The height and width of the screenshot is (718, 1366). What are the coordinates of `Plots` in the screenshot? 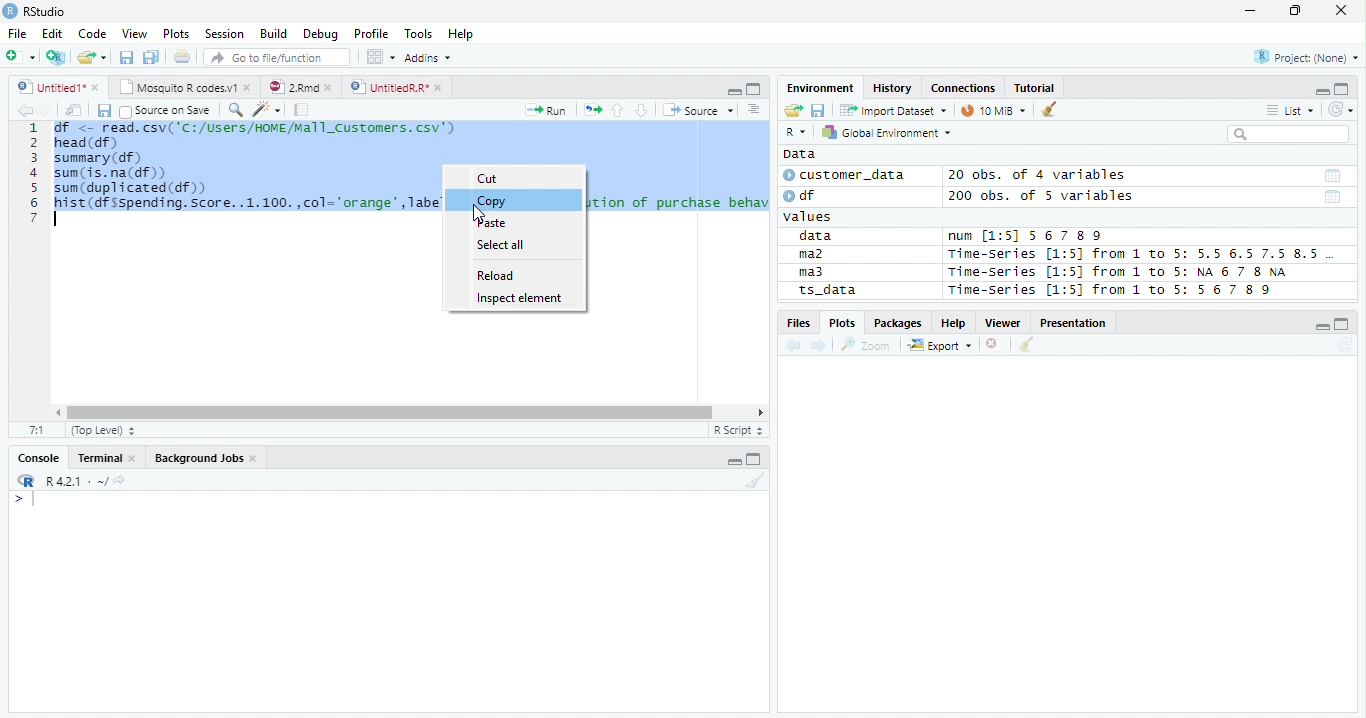 It's located at (176, 34).